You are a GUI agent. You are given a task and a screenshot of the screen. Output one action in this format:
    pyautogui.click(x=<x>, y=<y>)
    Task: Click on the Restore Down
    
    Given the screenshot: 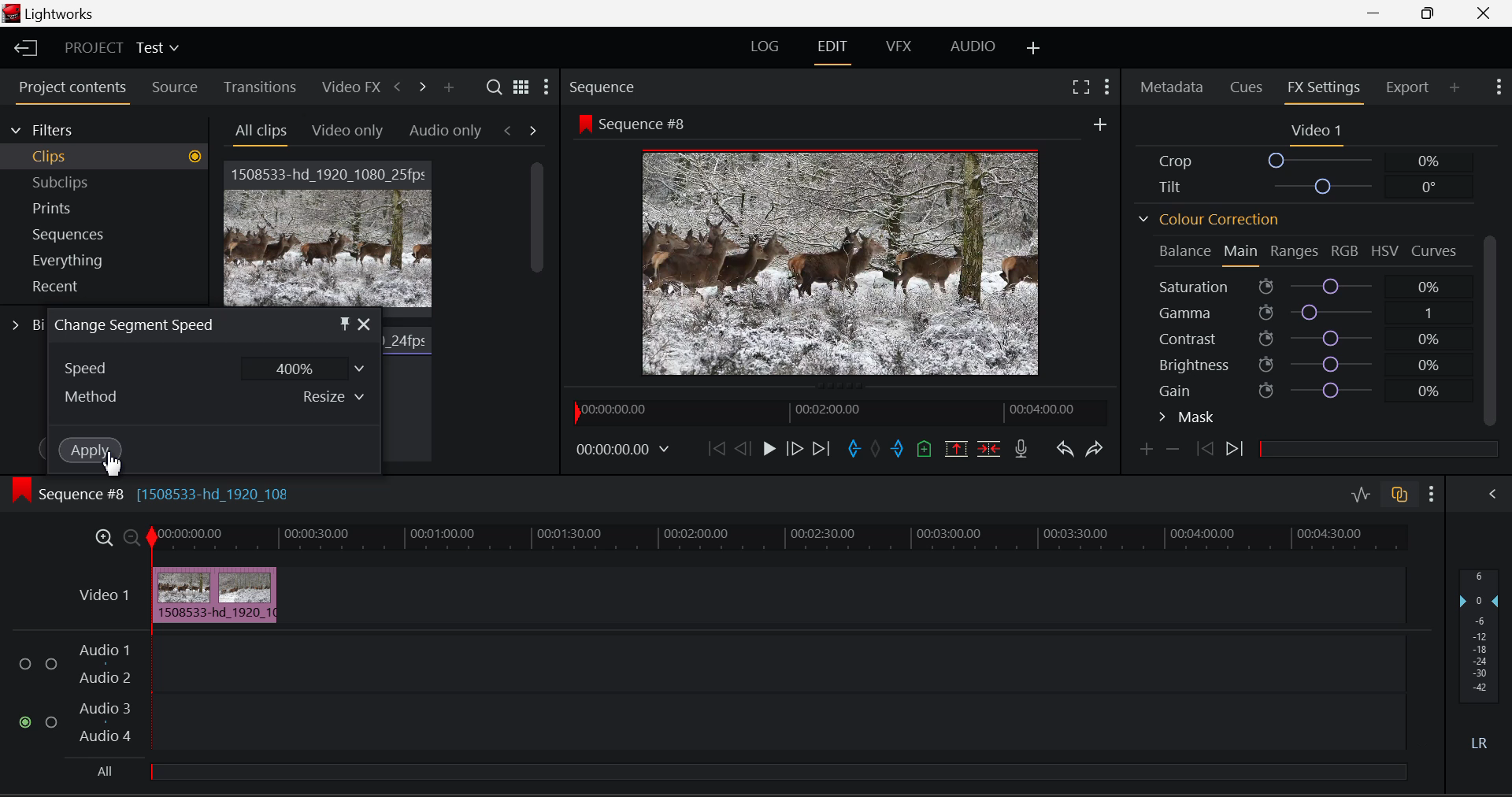 What is the action you would take?
    pyautogui.click(x=1376, y=13)
    